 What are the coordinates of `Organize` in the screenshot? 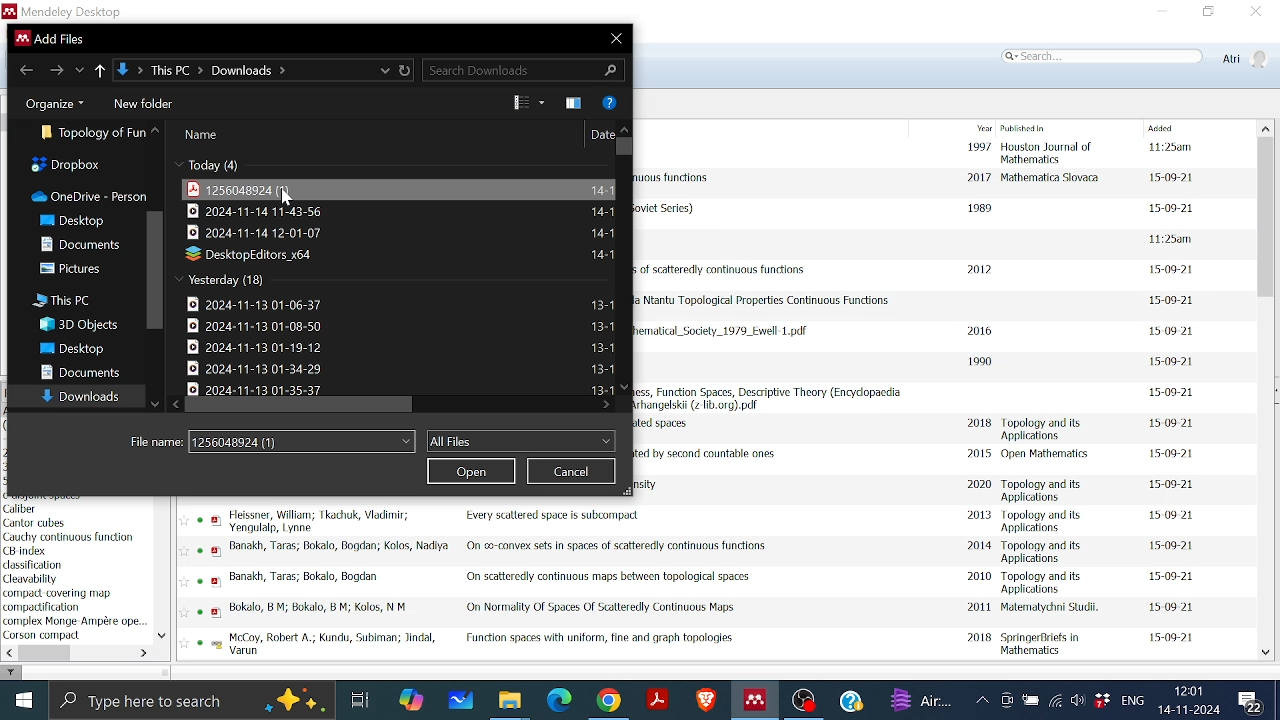 It's located at (55, 104).